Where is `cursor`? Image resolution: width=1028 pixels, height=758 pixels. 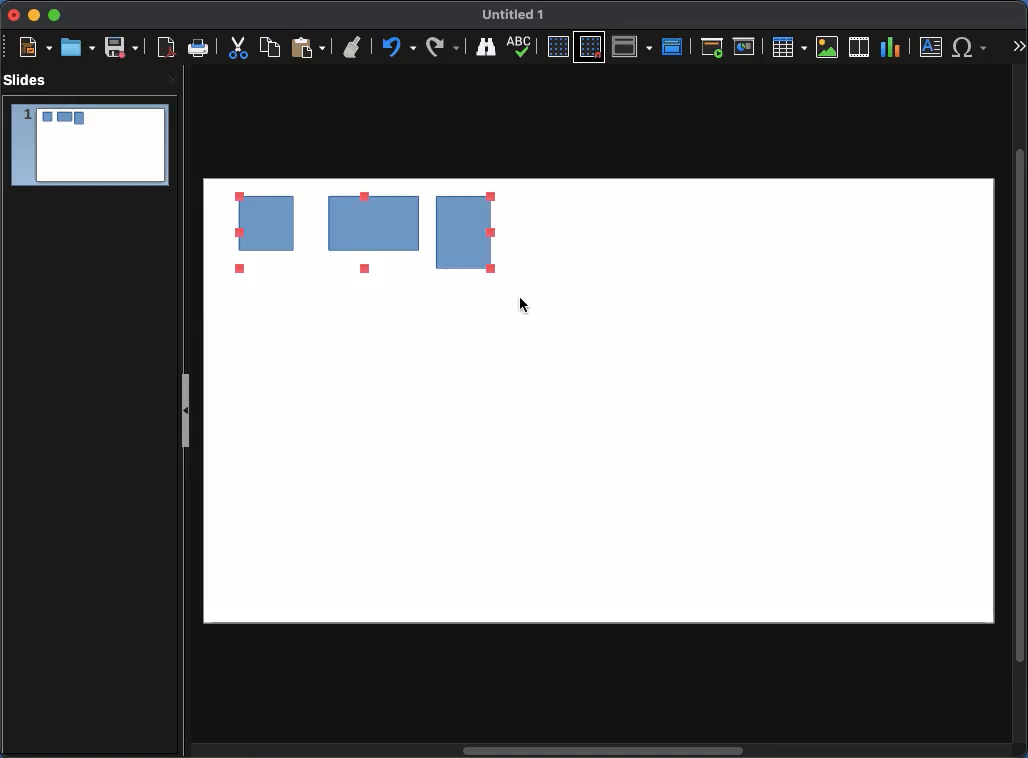 cursor is located at coordinates (525, 305).